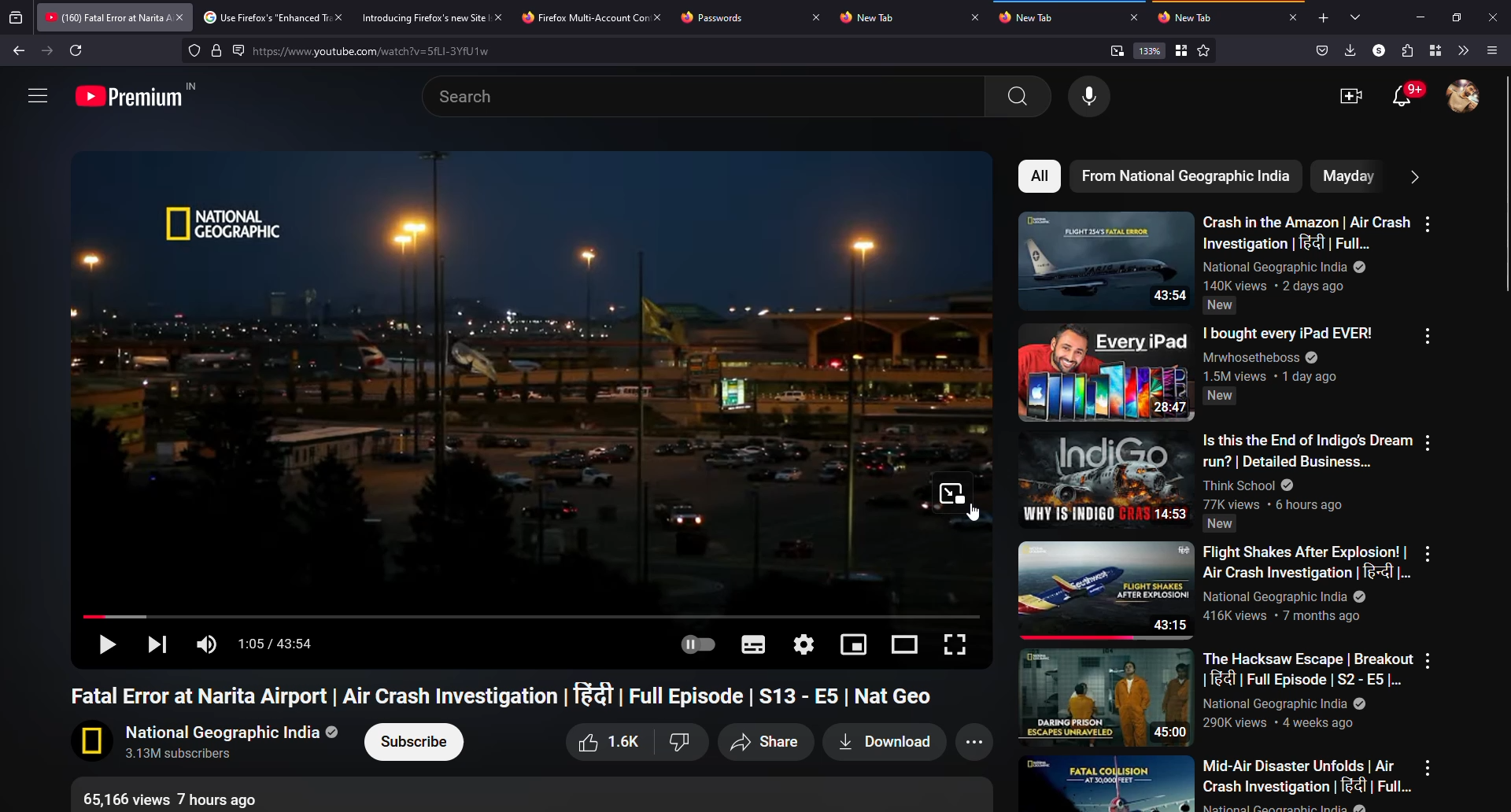 This screenshot has height=812, width=1511. Describe the element at coordinates (1287, 354) in the screenshot. I see `video text description` at that location.